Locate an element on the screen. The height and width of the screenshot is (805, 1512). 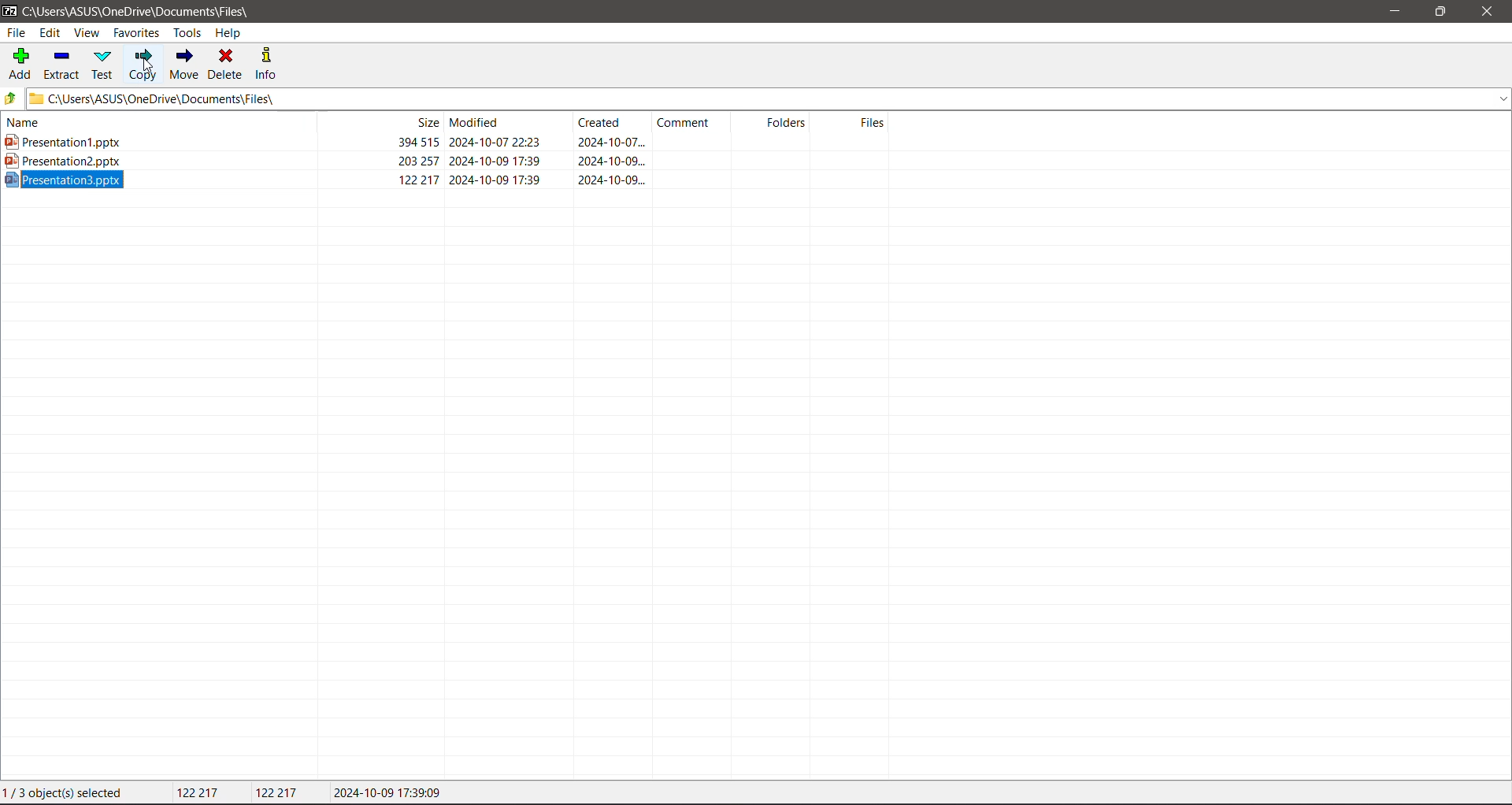
Name is located at coordinates (150, 122).